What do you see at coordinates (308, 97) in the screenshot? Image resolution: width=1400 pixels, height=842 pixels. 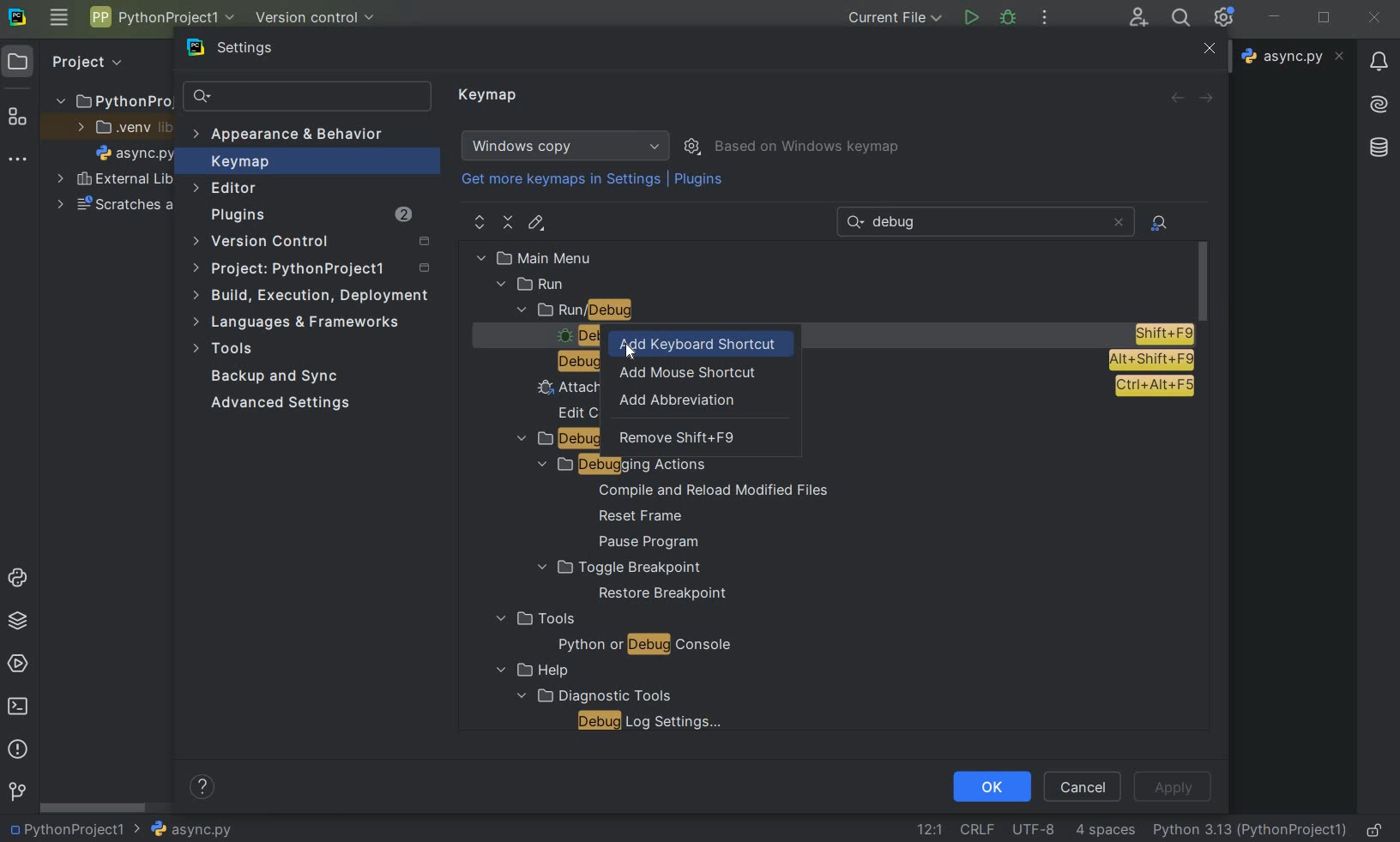 I see `search settings` at bounding box center [308, 97].